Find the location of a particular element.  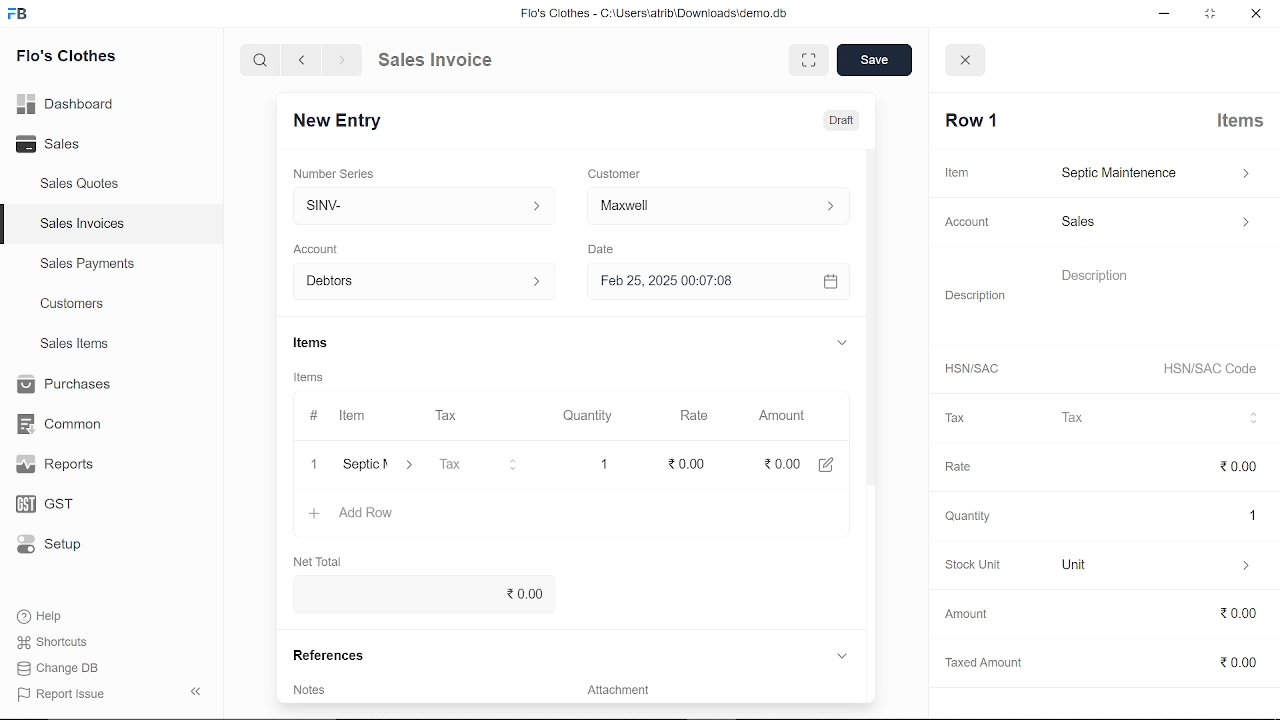

Help is located at coordinates (42, 616).